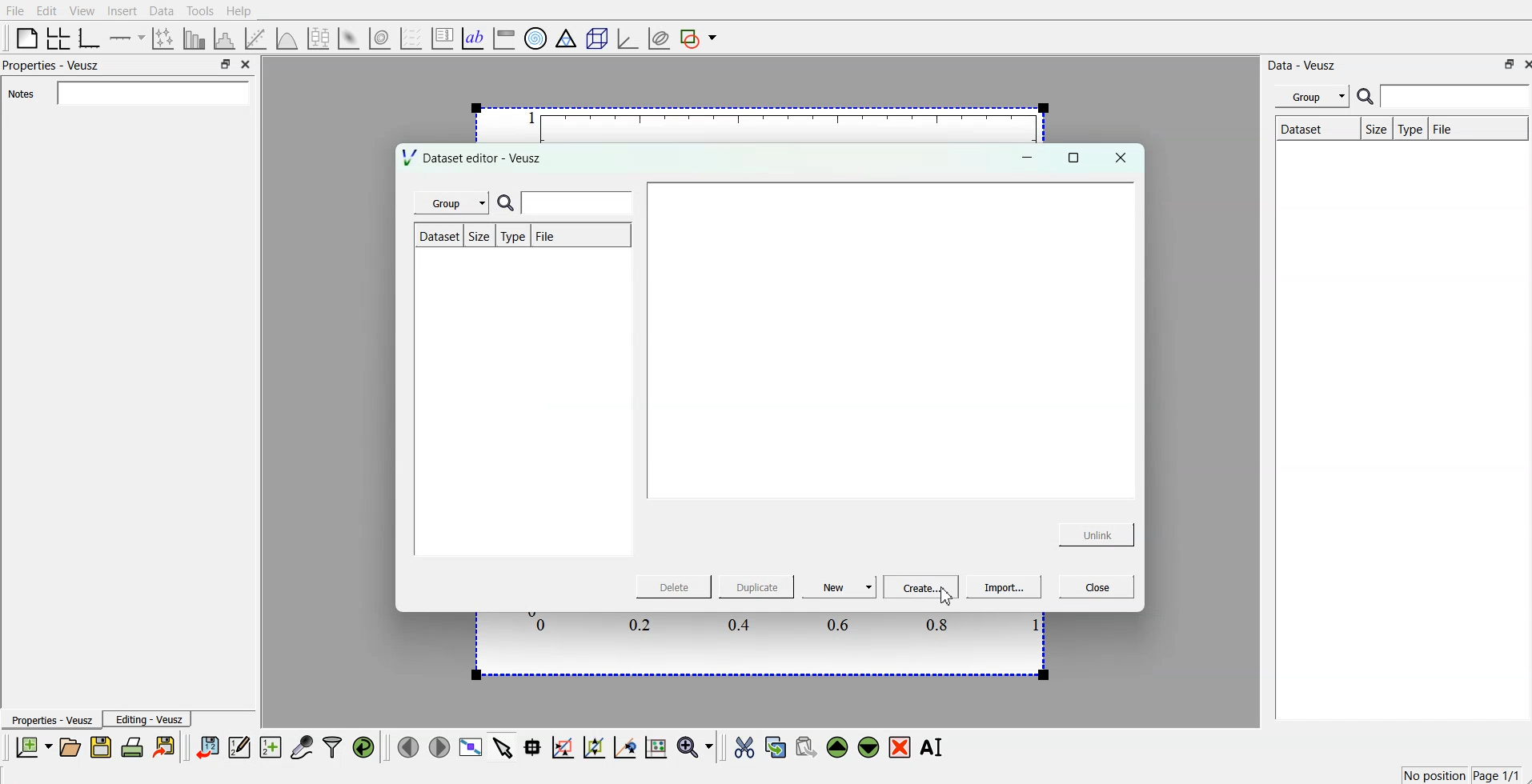 The height and width of the screenshot is (784, 1532). Describe the element at coordinates (150, 719) in the screenshot. I see `Editing - Veusz` at that location.